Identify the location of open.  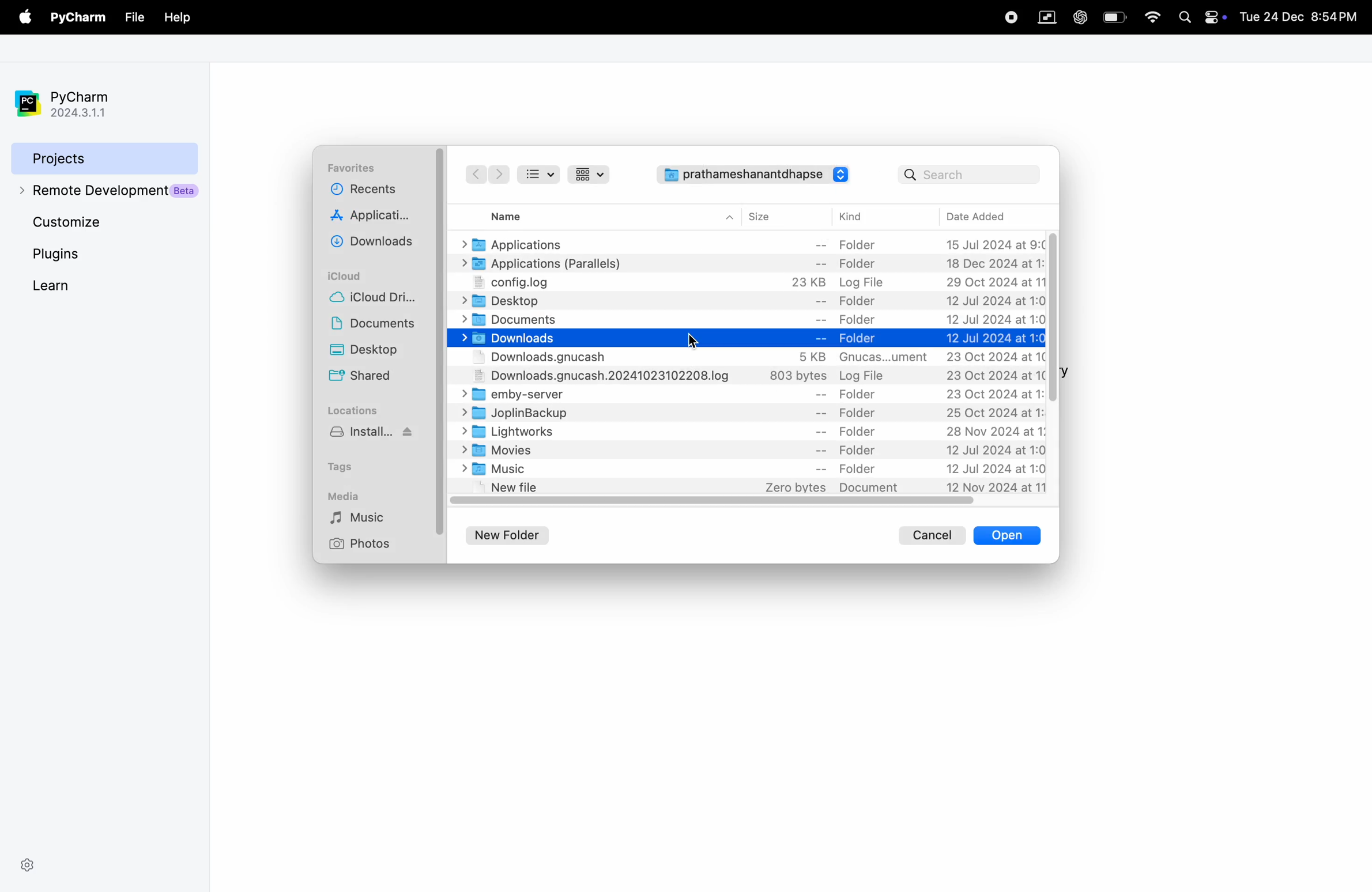
(1007, 535).